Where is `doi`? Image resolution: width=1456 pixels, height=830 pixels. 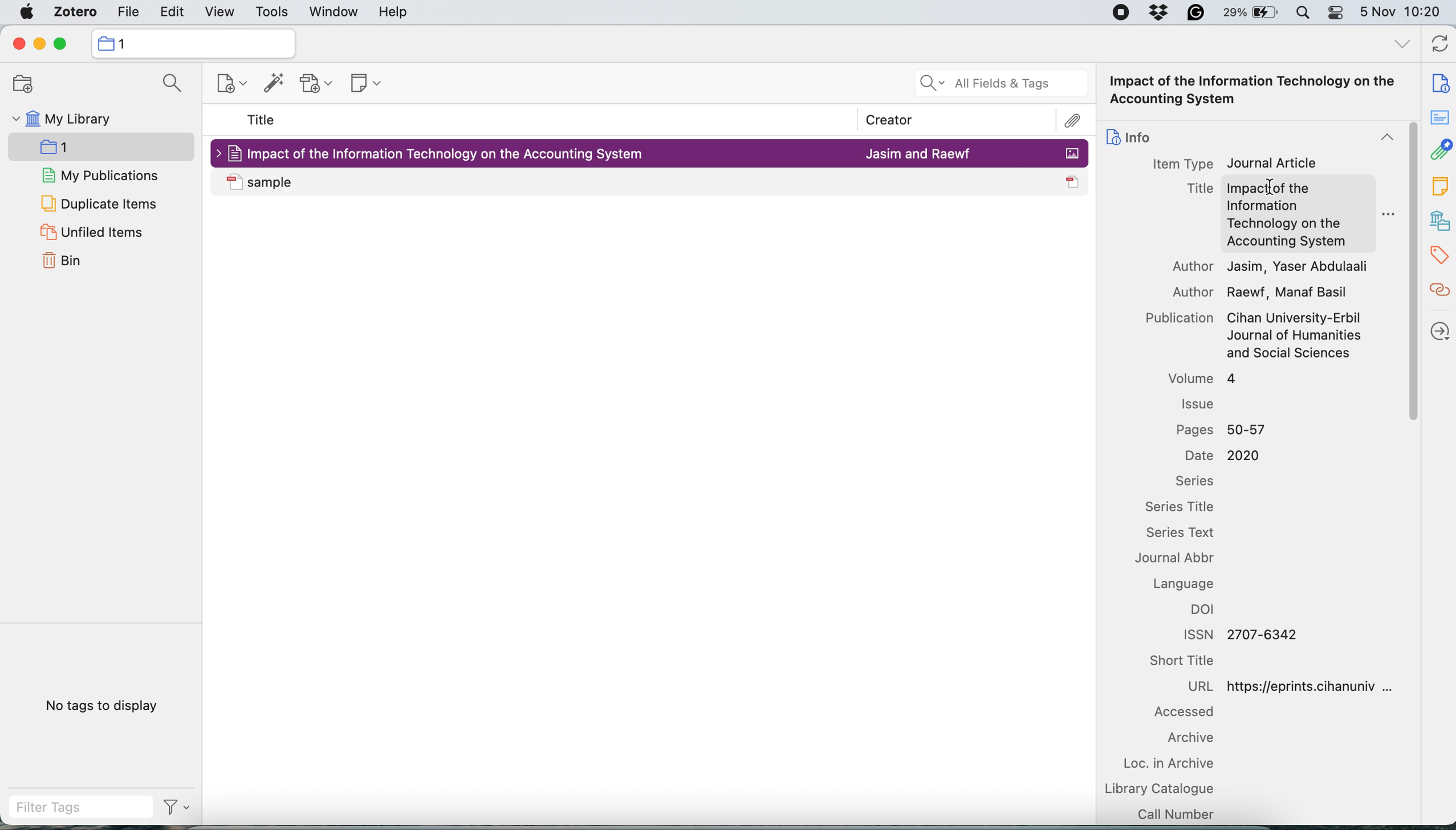
doi is located at coordinates (1205, 609).